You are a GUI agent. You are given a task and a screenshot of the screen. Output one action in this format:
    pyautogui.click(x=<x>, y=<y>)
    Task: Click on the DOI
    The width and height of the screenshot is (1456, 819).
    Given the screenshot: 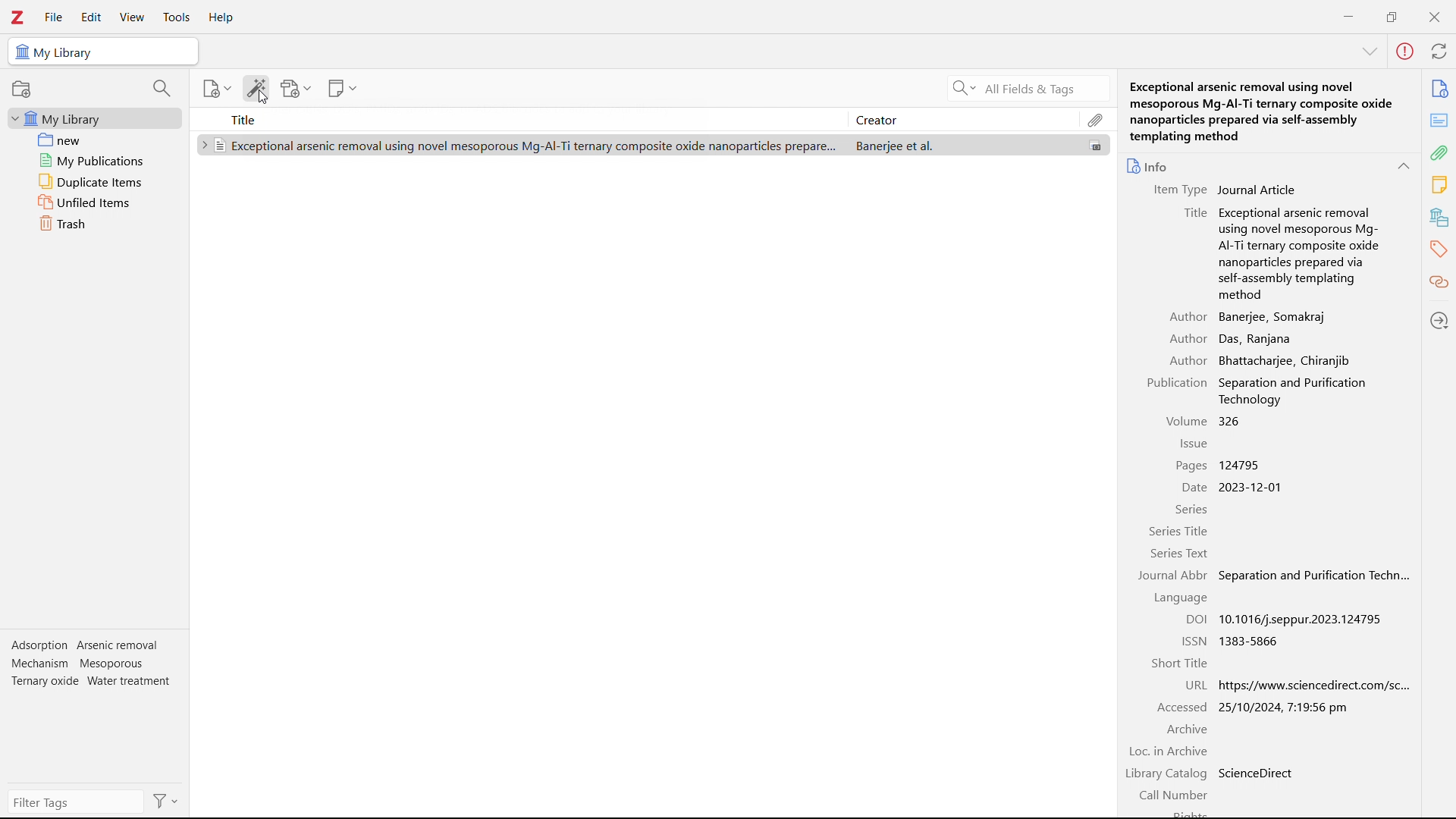 What is the action you would take?
    pyautogui.click(x=1197, y=619)
    